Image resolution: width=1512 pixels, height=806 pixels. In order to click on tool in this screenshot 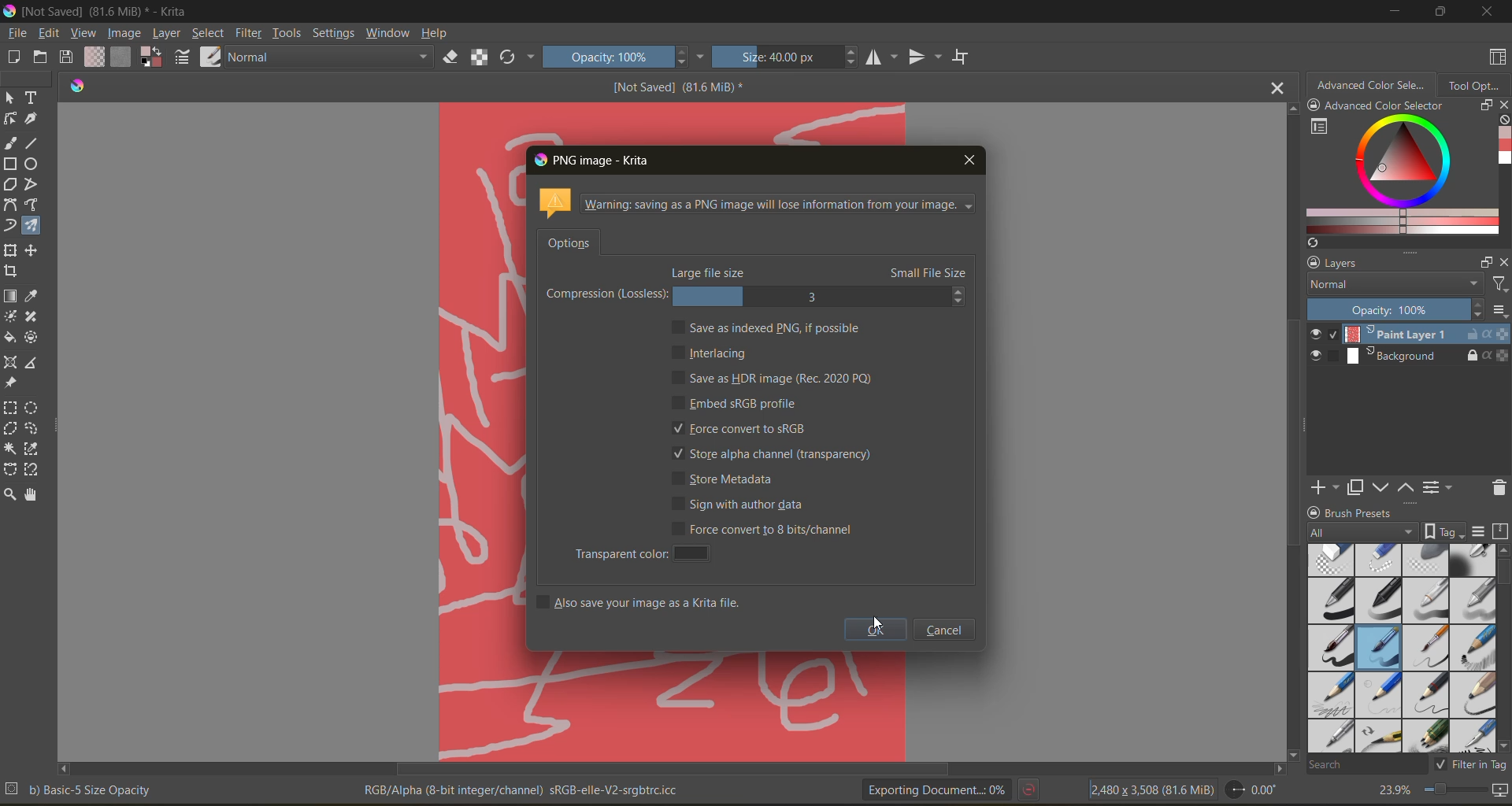, I will do `click(9, 164)`.